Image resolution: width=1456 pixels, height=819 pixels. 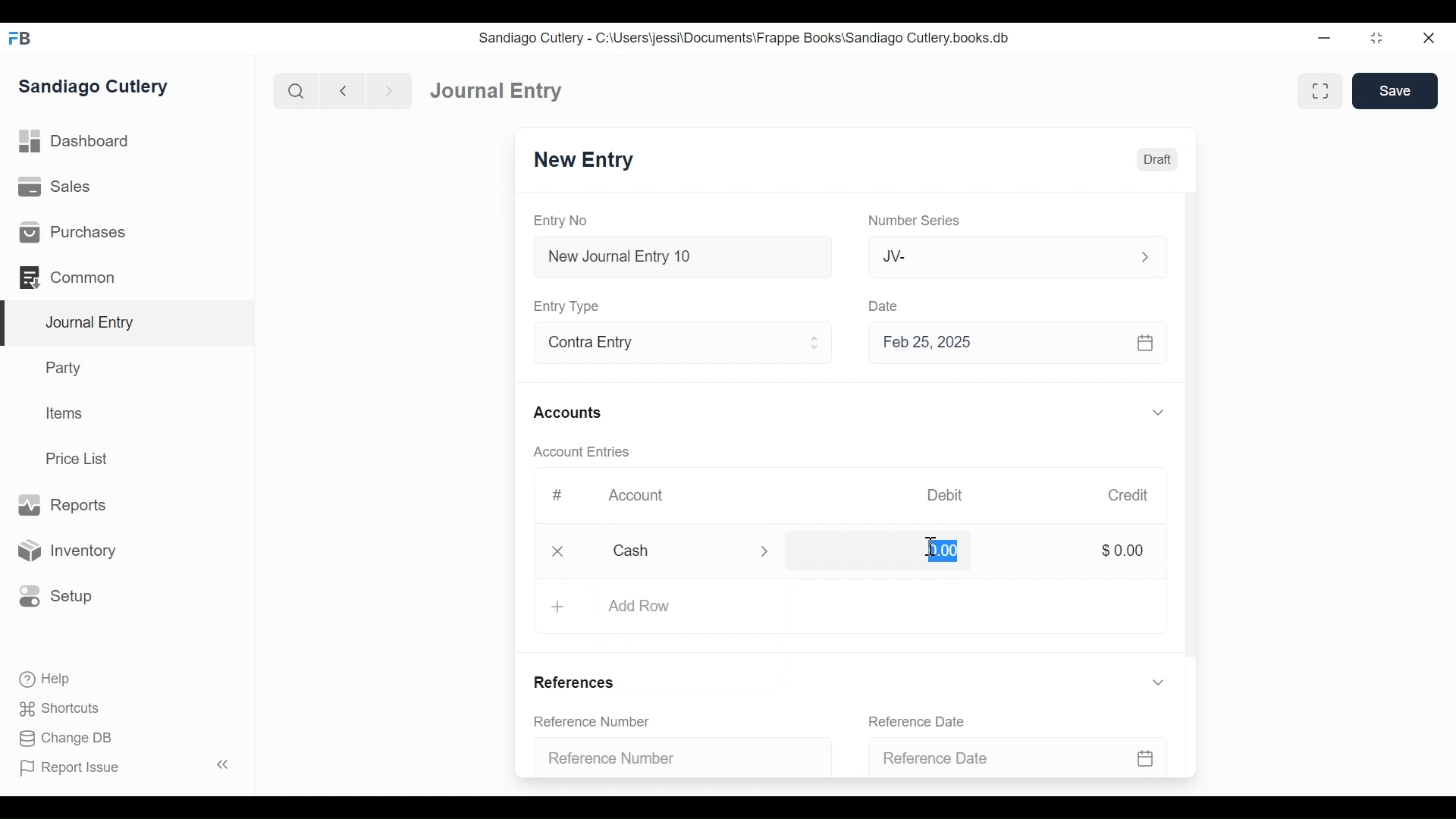 What do you see at coordinates (297, 90) in the screenshot?
I see `Search` at bounding box center [297, 90].